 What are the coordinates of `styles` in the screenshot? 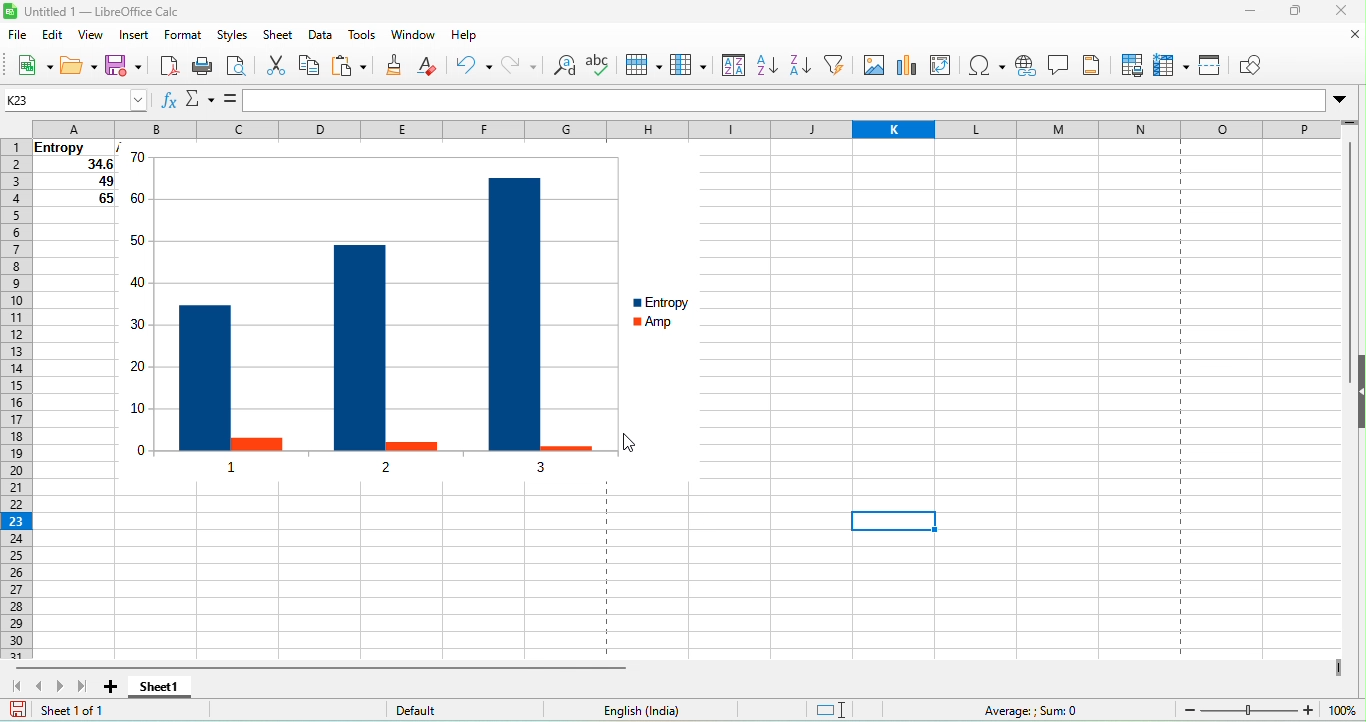 It's located at (231, 37).